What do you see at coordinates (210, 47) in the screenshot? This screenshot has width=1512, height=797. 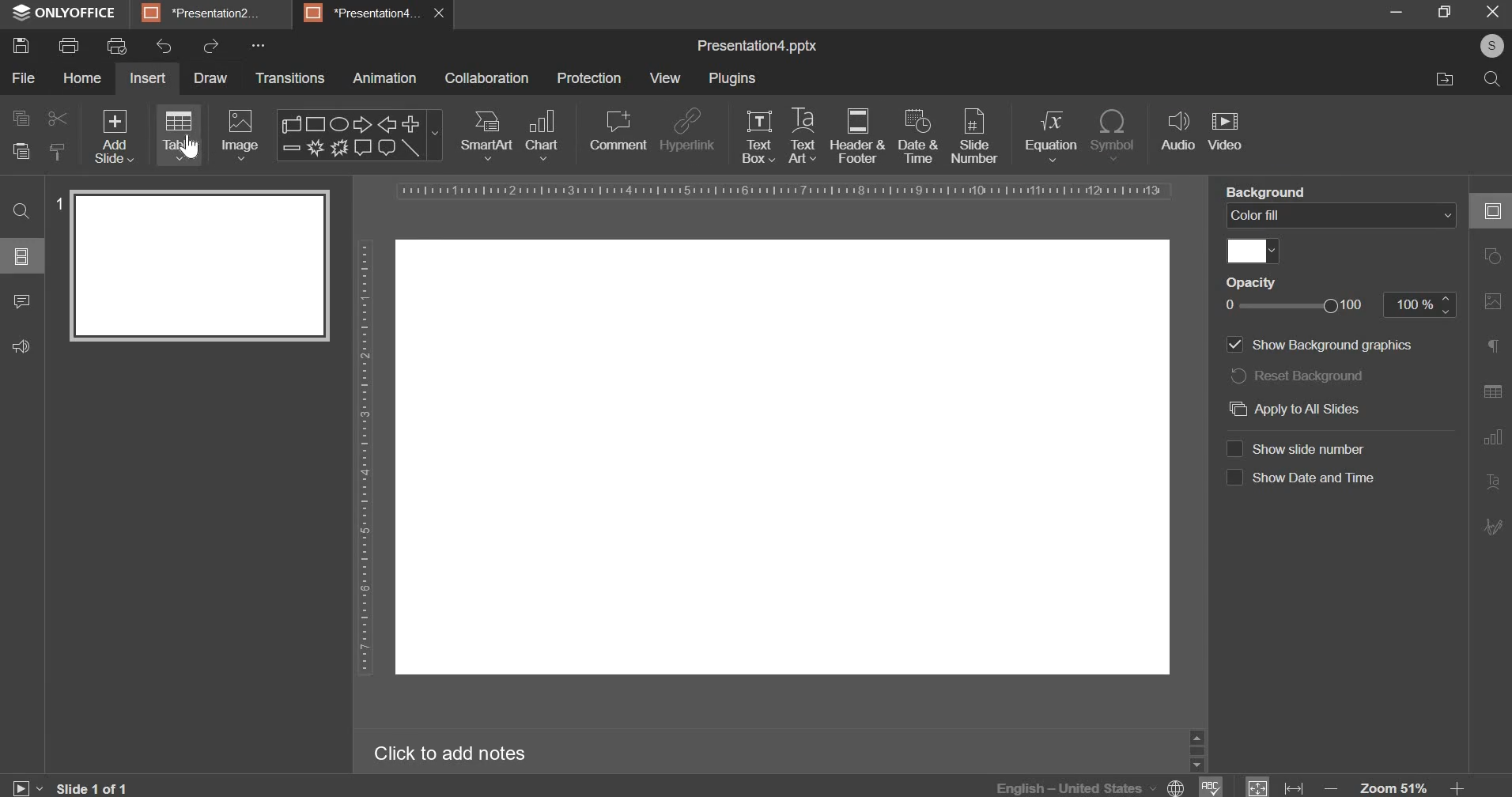 I see `redo` at bounding box center [210, 47].